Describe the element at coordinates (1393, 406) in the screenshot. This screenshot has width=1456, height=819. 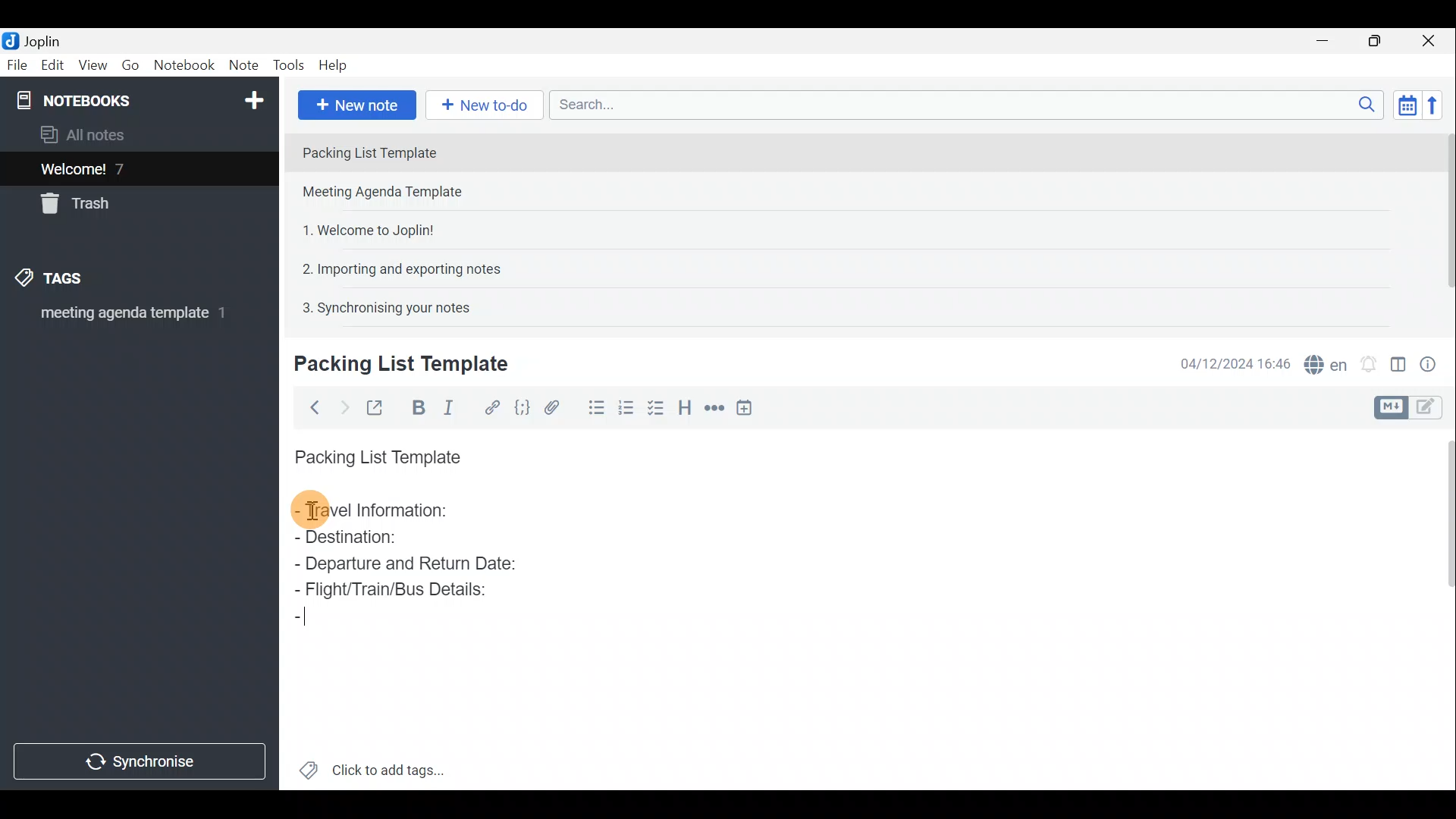
I see `Toggle editors` at that location.